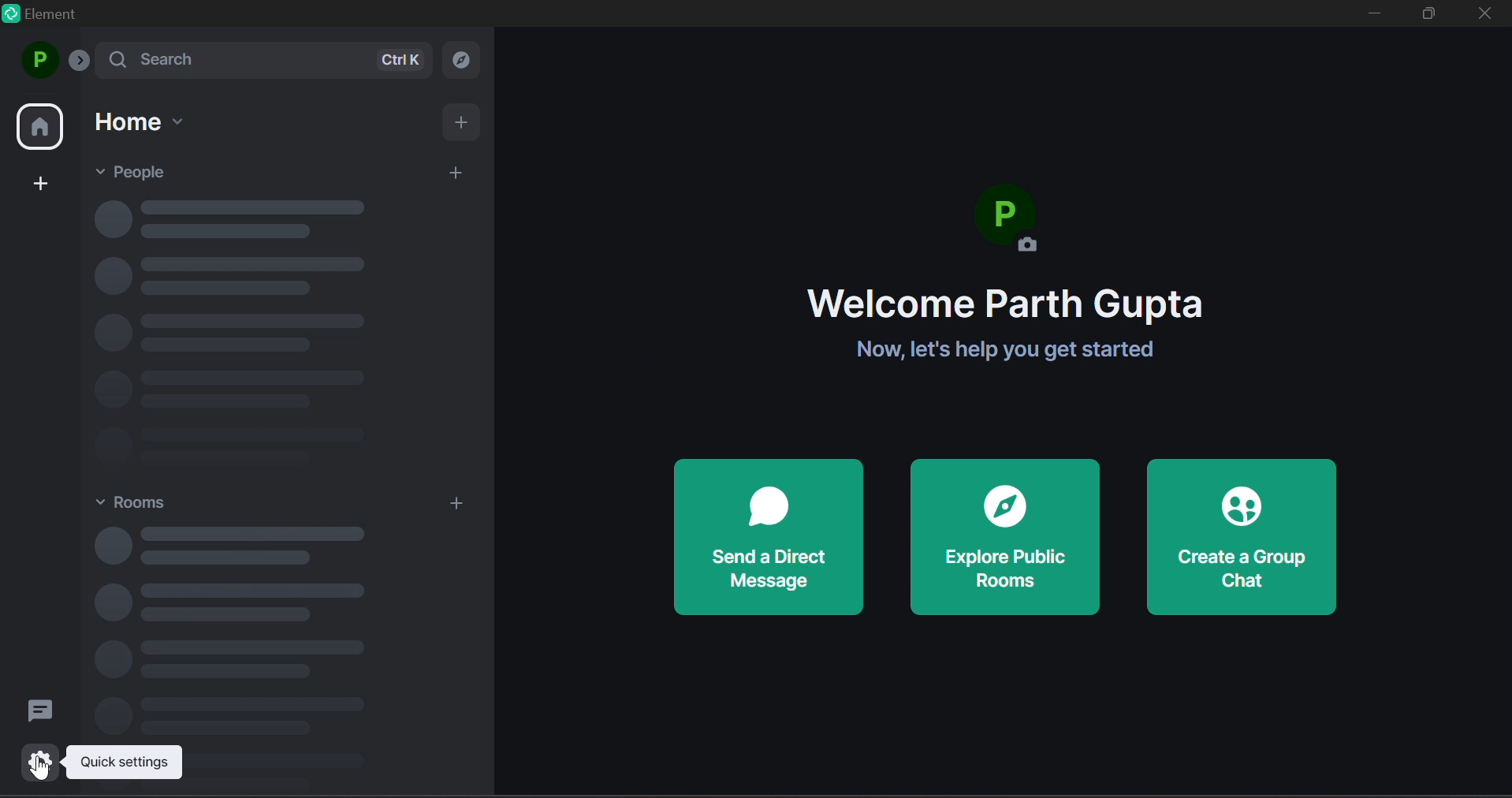  I want to click on maximize, so click(1432, 13).